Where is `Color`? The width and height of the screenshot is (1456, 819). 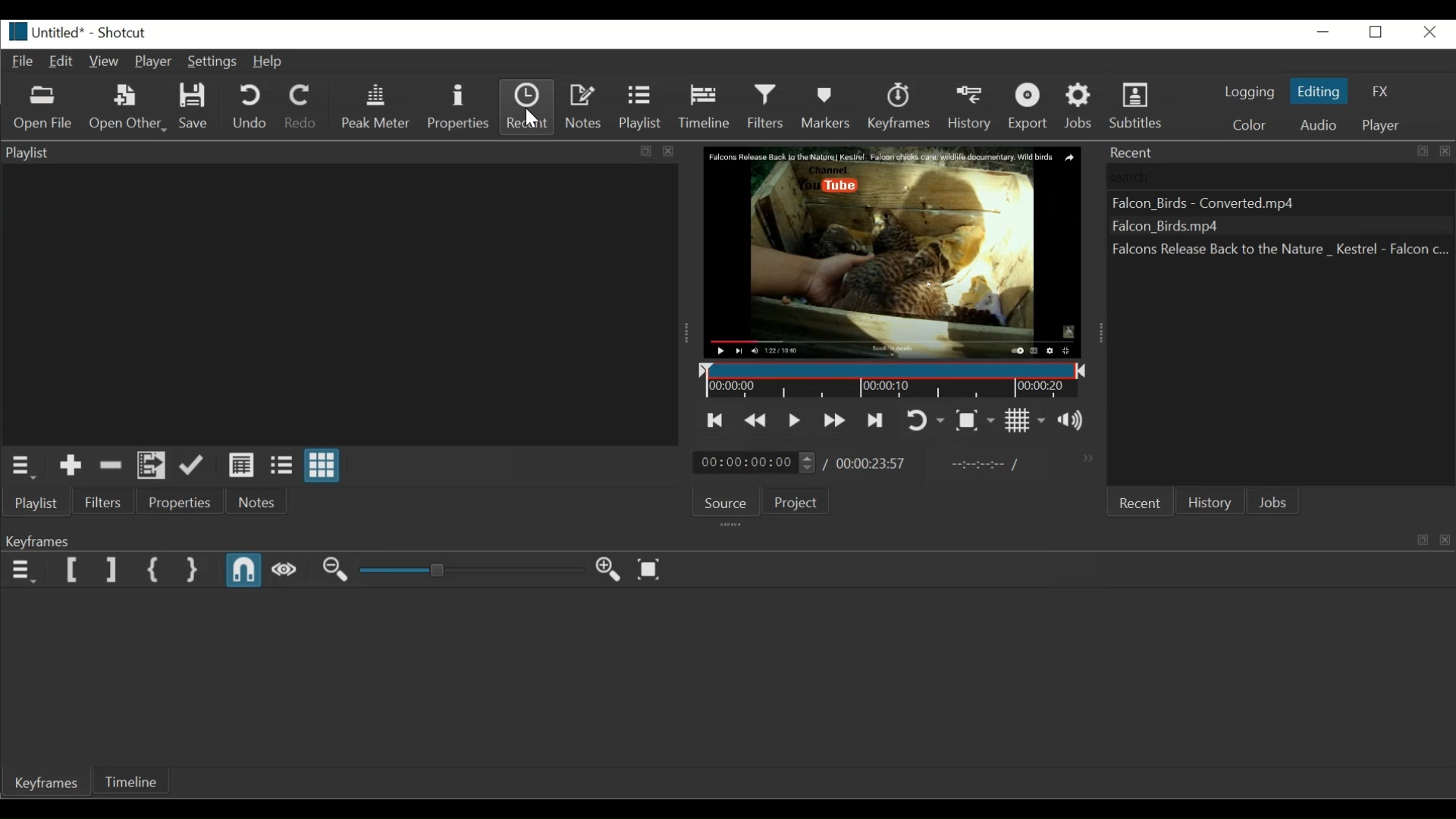
Color is located at coordinates (1248, 125).